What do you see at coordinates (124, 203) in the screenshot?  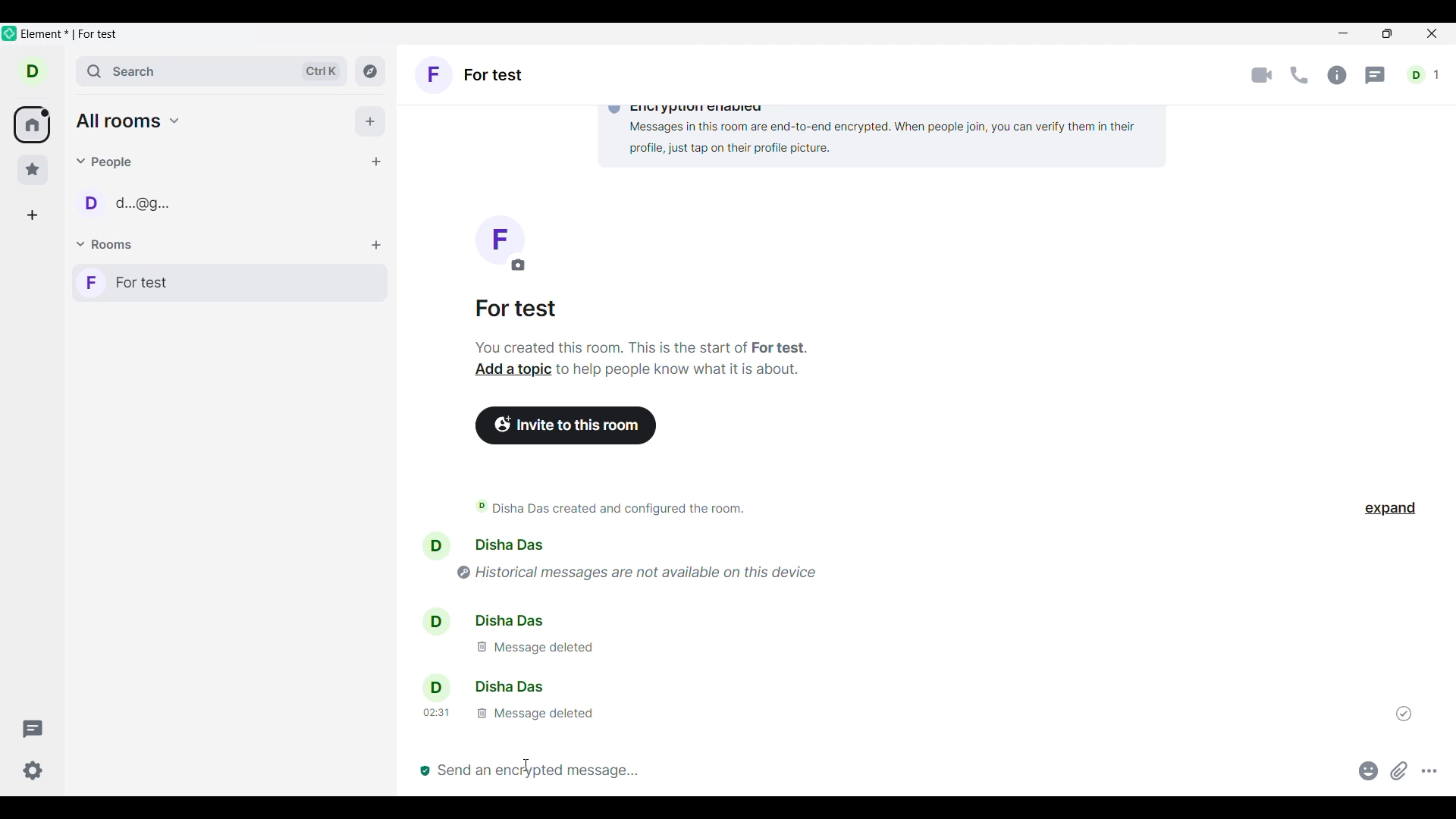 I see `D d.@g..` at bounding box center [124, 203].